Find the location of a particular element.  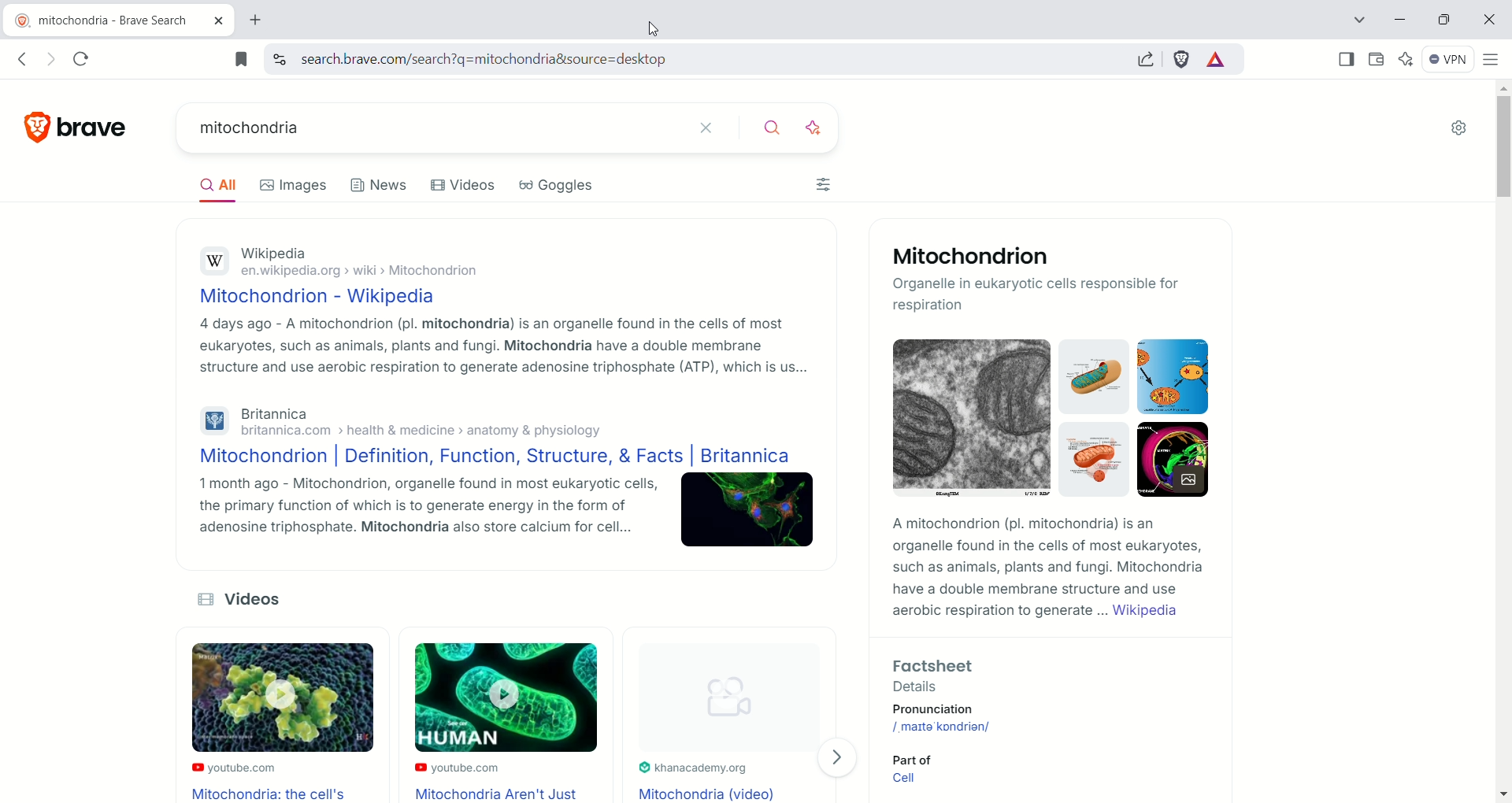

close is located at coordinates (1488, 21).